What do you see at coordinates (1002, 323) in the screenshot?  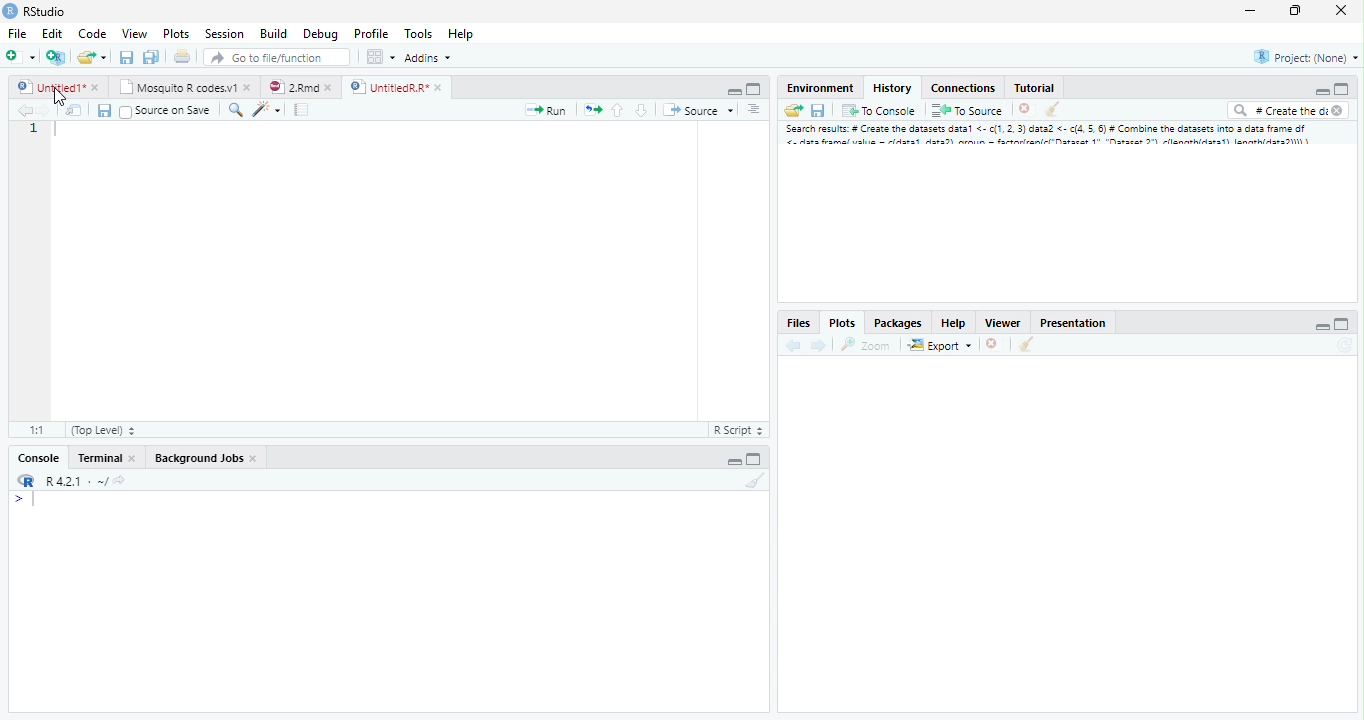 I see `Viewer` at bounding box center [1002, 323].